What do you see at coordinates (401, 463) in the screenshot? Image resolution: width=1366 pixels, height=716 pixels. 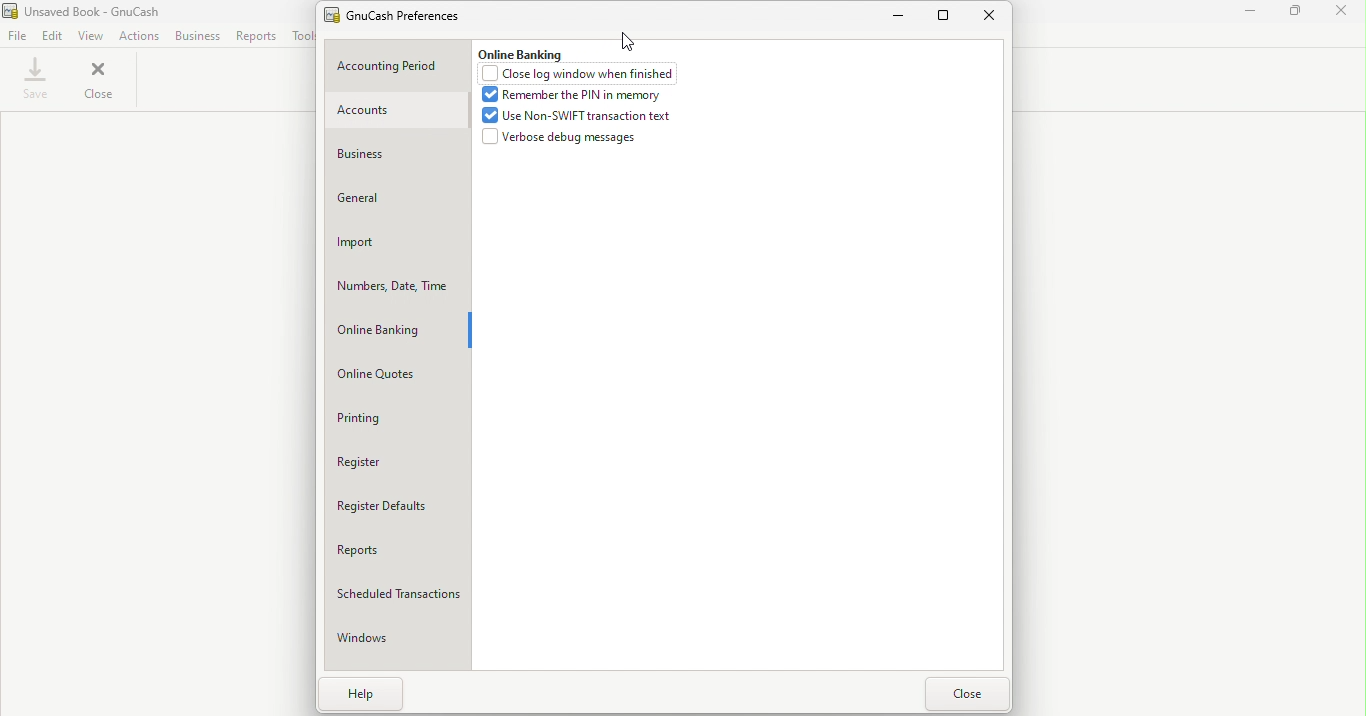 I see `Register` at bounding box center [401, 463].